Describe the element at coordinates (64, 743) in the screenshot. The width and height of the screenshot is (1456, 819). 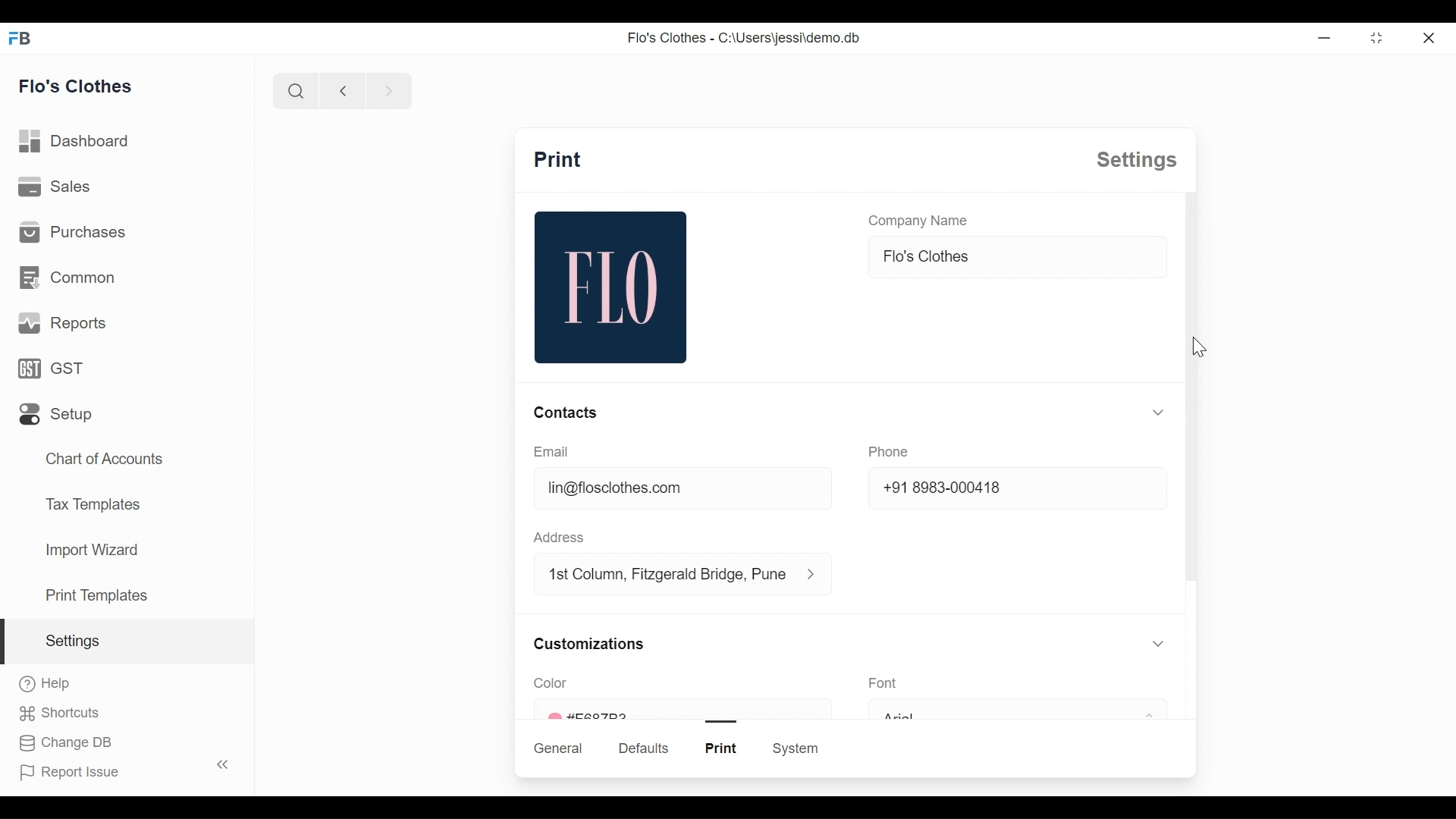
I see `change DB` at that location.